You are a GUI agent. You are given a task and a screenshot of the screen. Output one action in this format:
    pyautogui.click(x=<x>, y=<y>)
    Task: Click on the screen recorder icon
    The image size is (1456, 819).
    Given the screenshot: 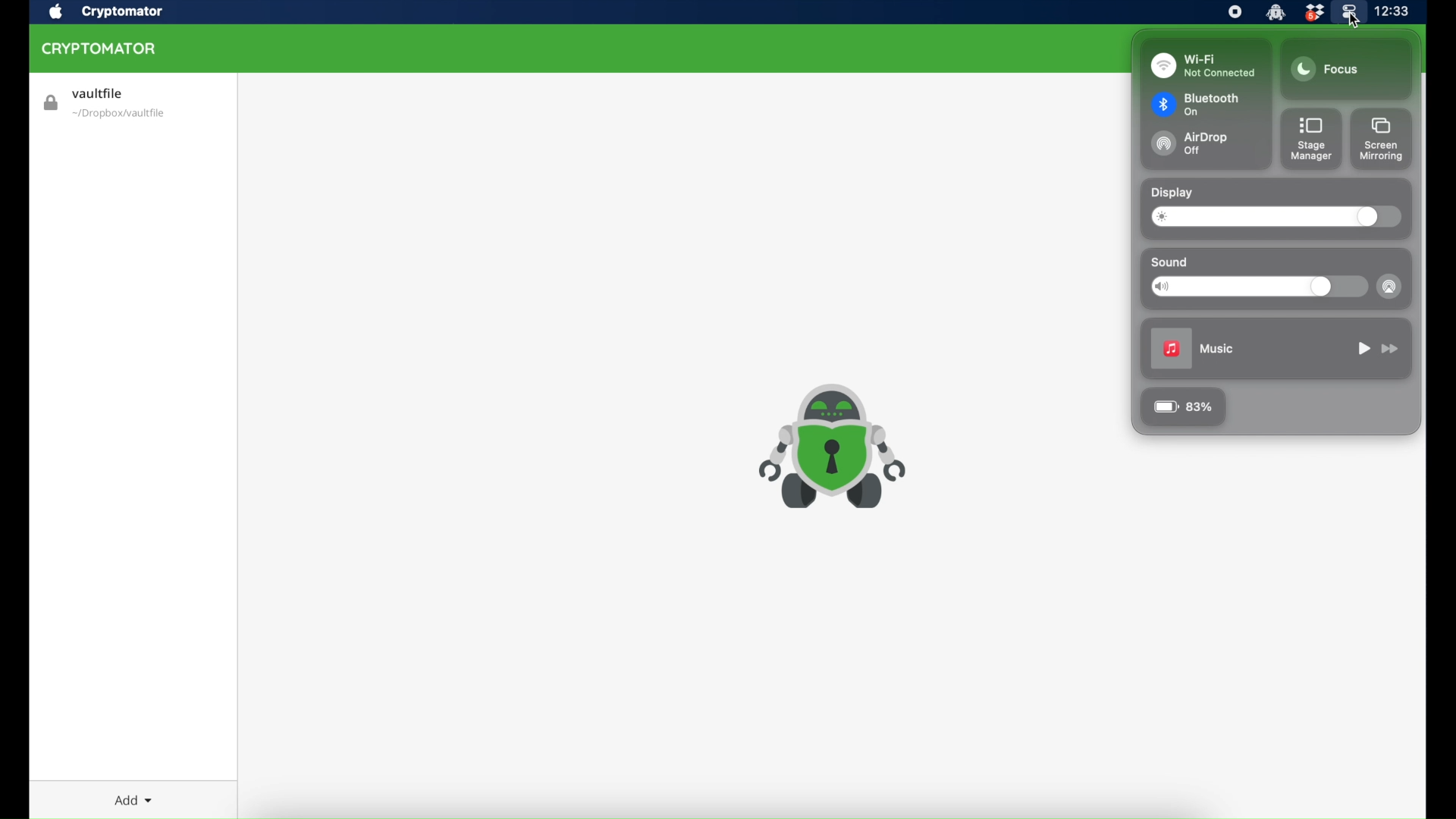 What is the action you would take?
    pyautogui.click(x=1236, y=11)
    